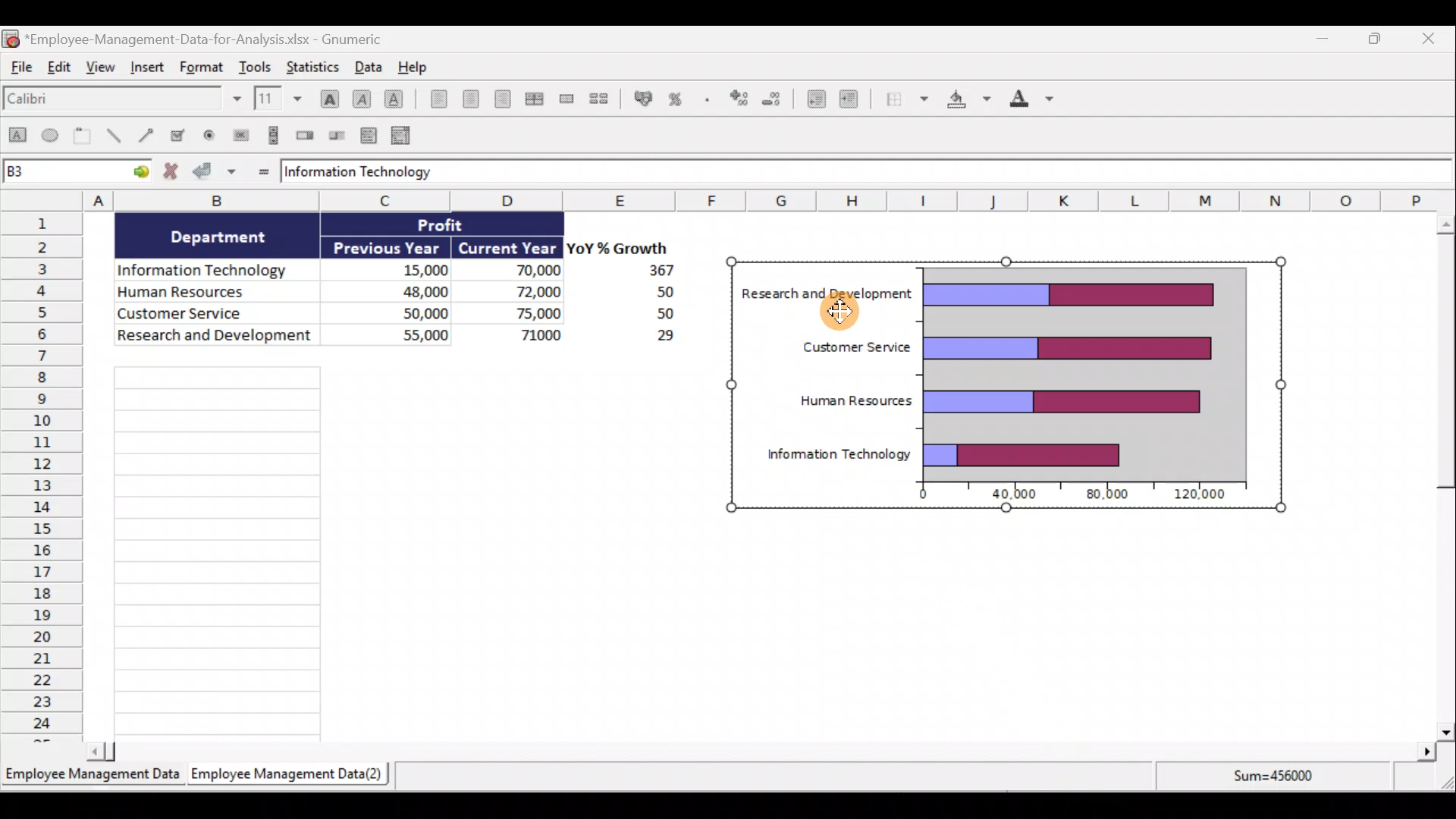 Image resolution: width=1456 pixels, height=819 pixels. What do you see at coordinates (317, 66) in the screenshot?
I see `Statistics` at bounding box center [317, 66].